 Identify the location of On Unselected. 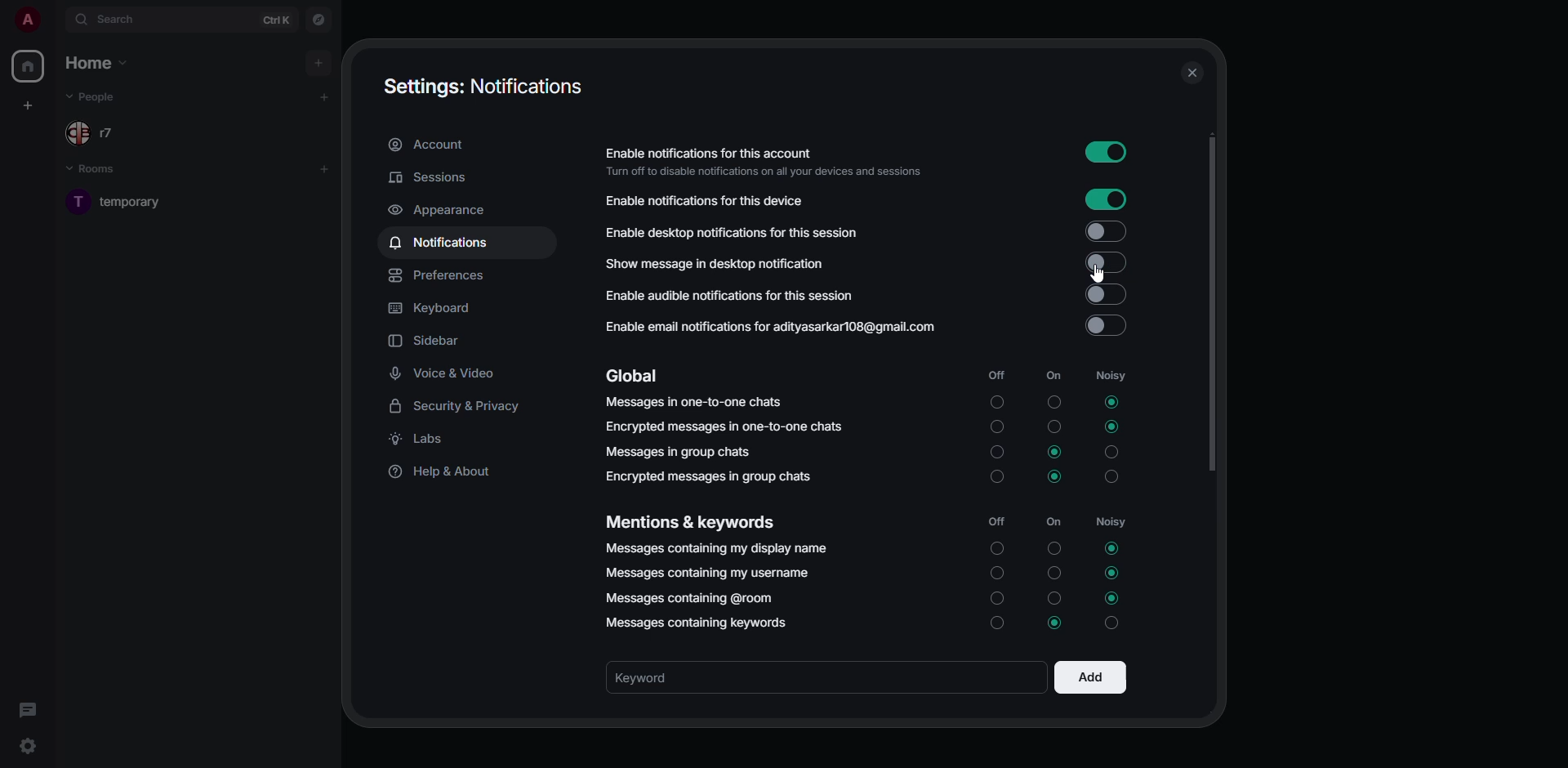
(1055, 401).